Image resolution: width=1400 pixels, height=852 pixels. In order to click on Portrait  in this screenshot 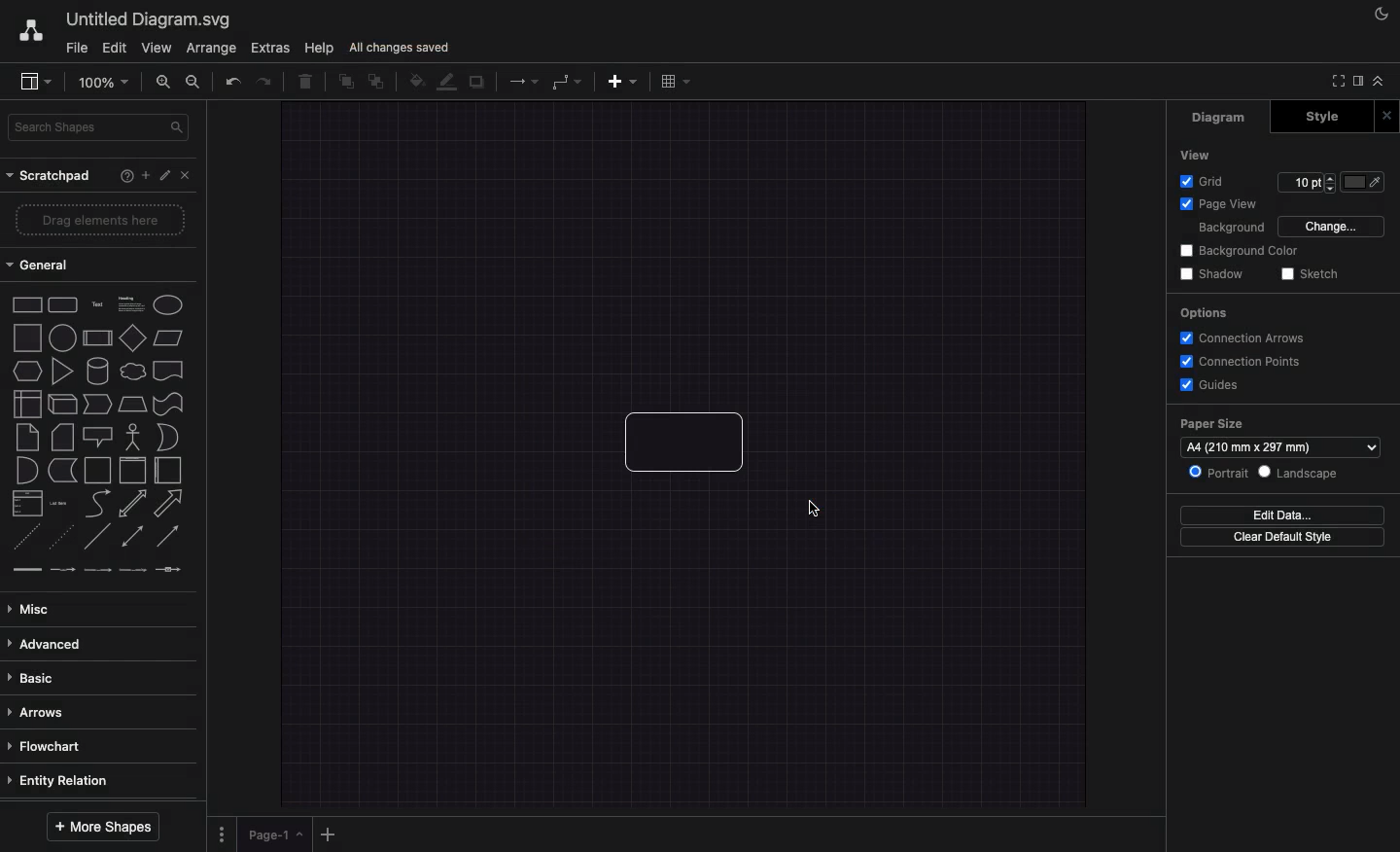, I will do `click(1219, 474)`.